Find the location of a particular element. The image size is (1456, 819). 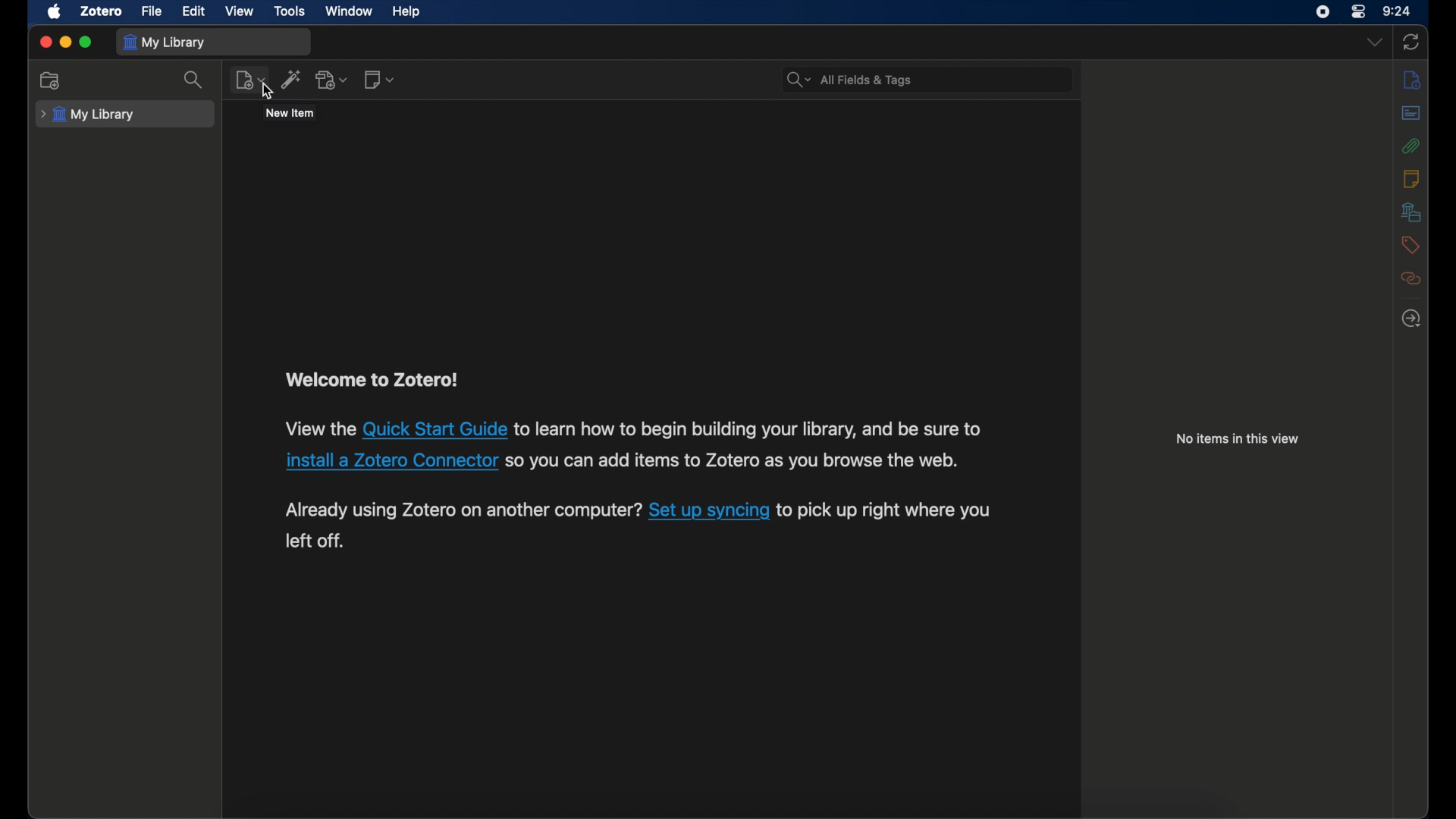

add items is located at coordinates (291, 79).